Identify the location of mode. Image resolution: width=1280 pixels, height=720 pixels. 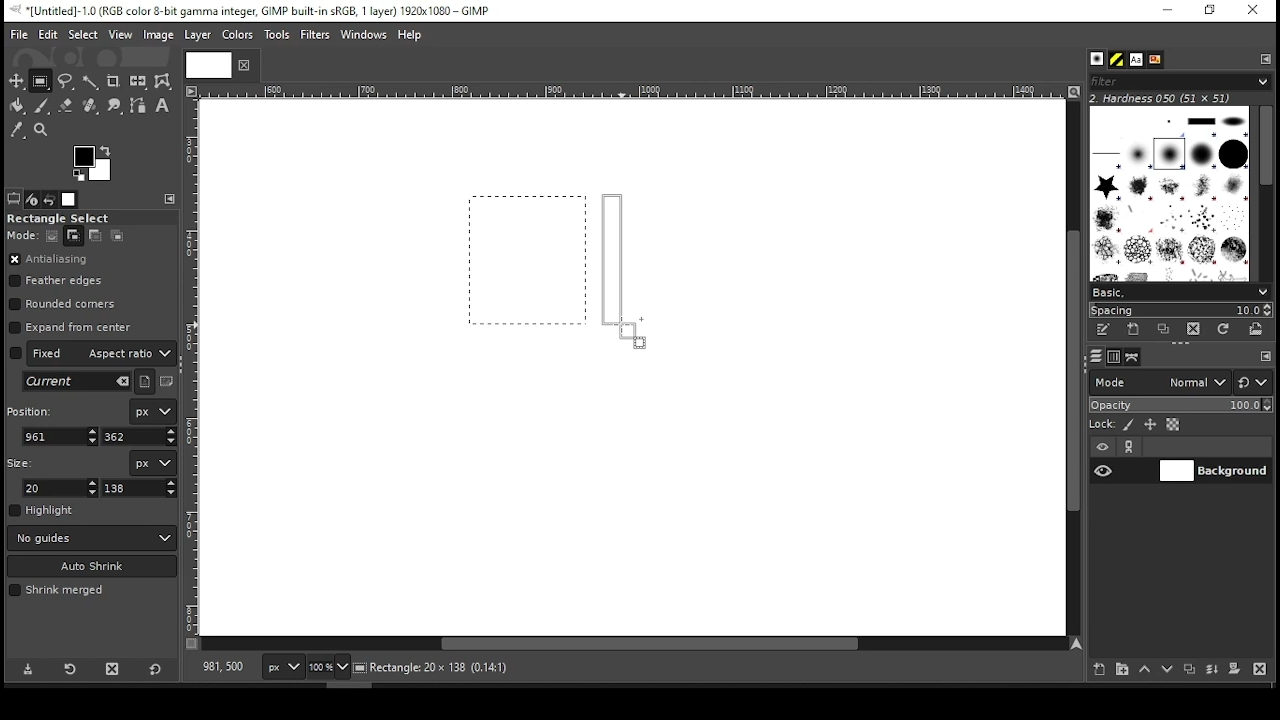
(1159, 384).